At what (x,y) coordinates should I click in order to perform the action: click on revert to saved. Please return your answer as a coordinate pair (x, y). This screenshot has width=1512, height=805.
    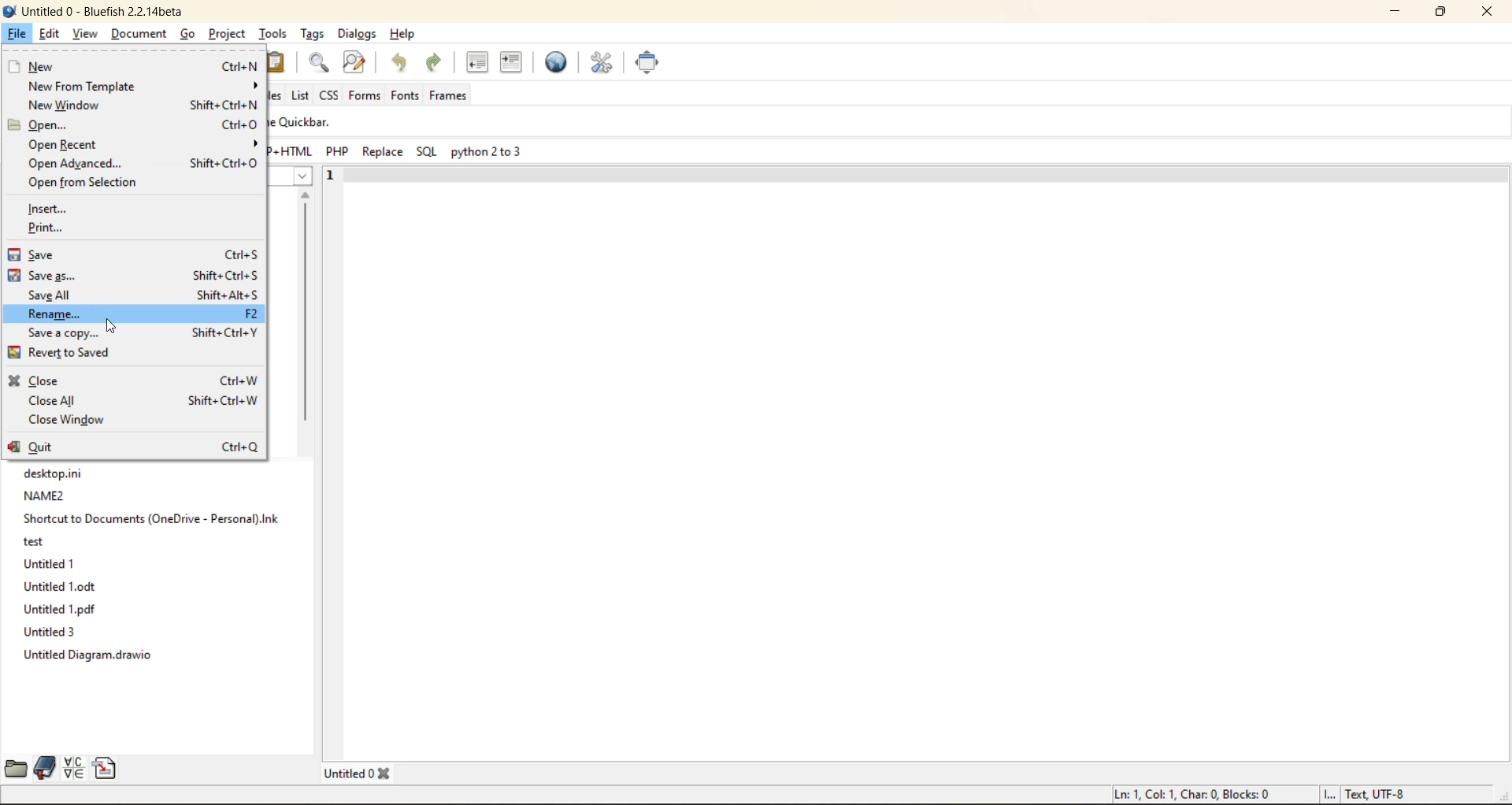
    Looking at the image, I should click on (80, 354).